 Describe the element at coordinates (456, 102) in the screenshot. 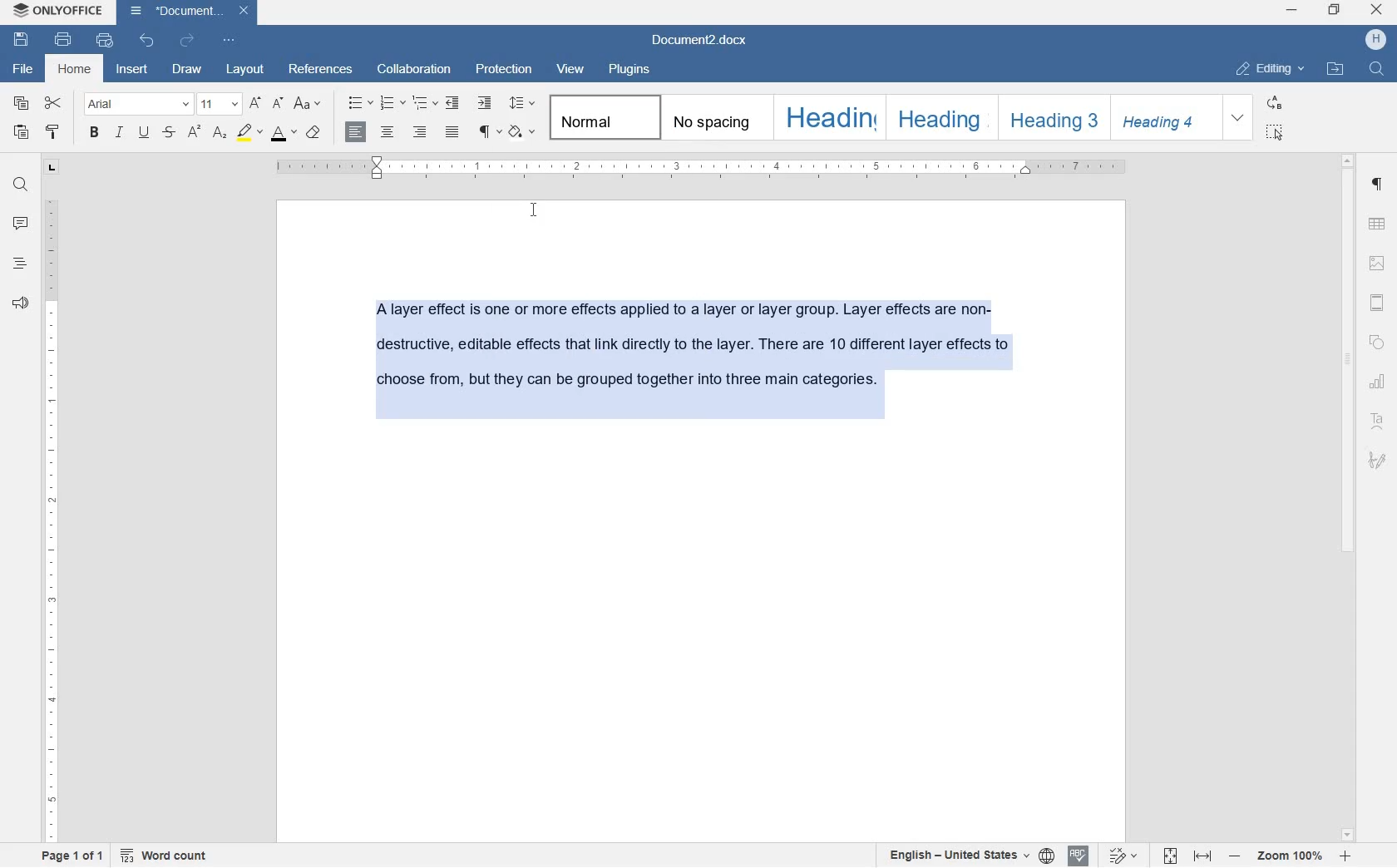

I see `decrease indent` at that location.